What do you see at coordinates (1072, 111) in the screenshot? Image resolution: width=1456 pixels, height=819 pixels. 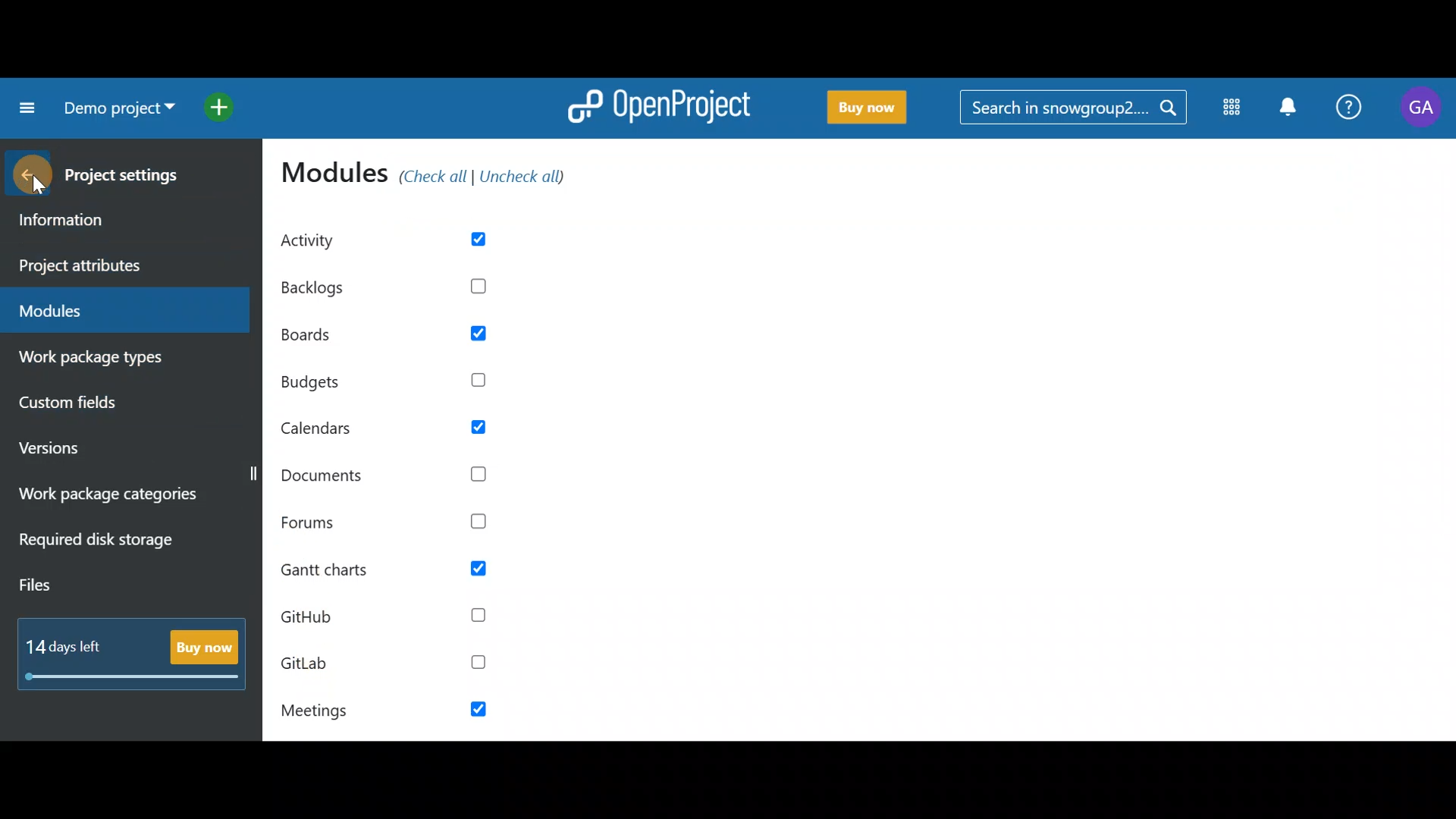 I see `Search bar` at bounding box center [1072, 111].